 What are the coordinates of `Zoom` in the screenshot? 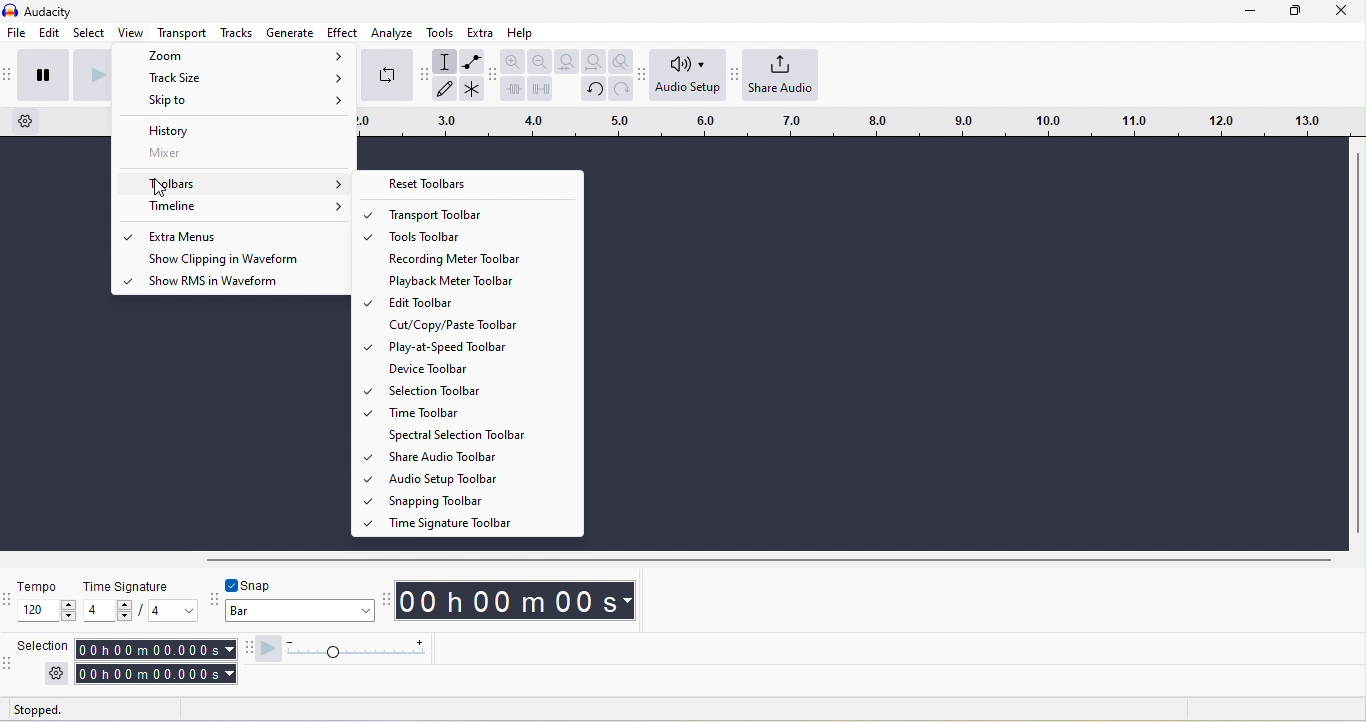 It's located at (237, 55).